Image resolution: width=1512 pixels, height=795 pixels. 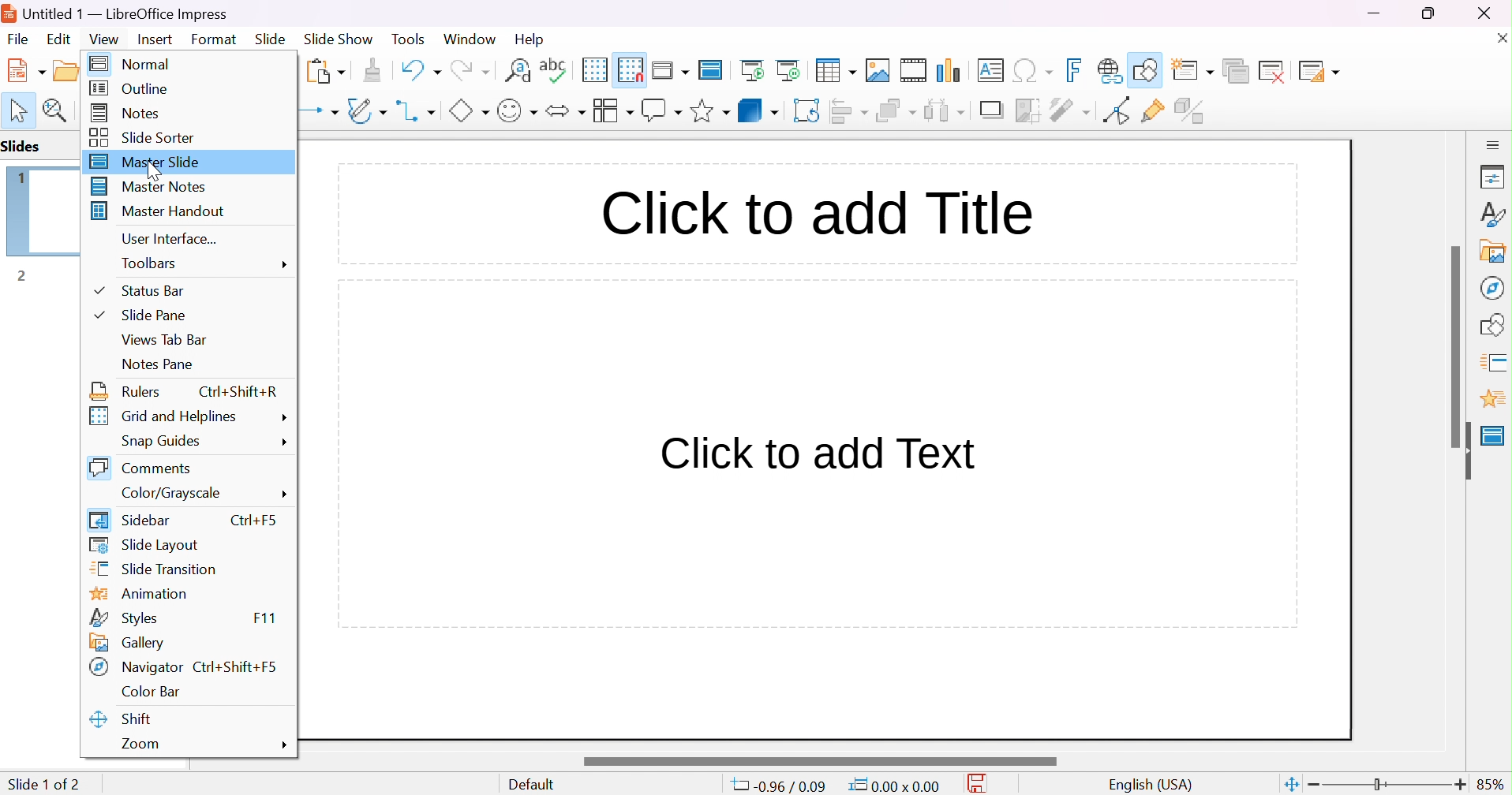 I want to click on slide pane, so click(x=139, y=313).